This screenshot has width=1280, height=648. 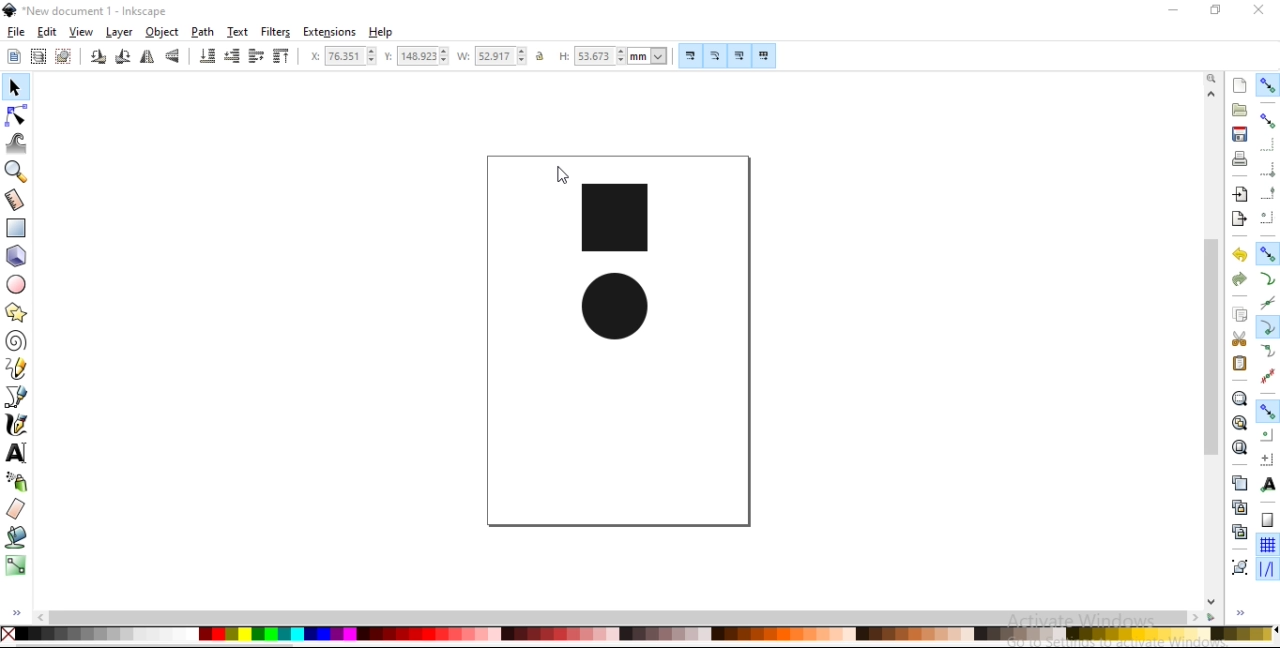 I want to click on create a new document, so click(x=1241, y=85).